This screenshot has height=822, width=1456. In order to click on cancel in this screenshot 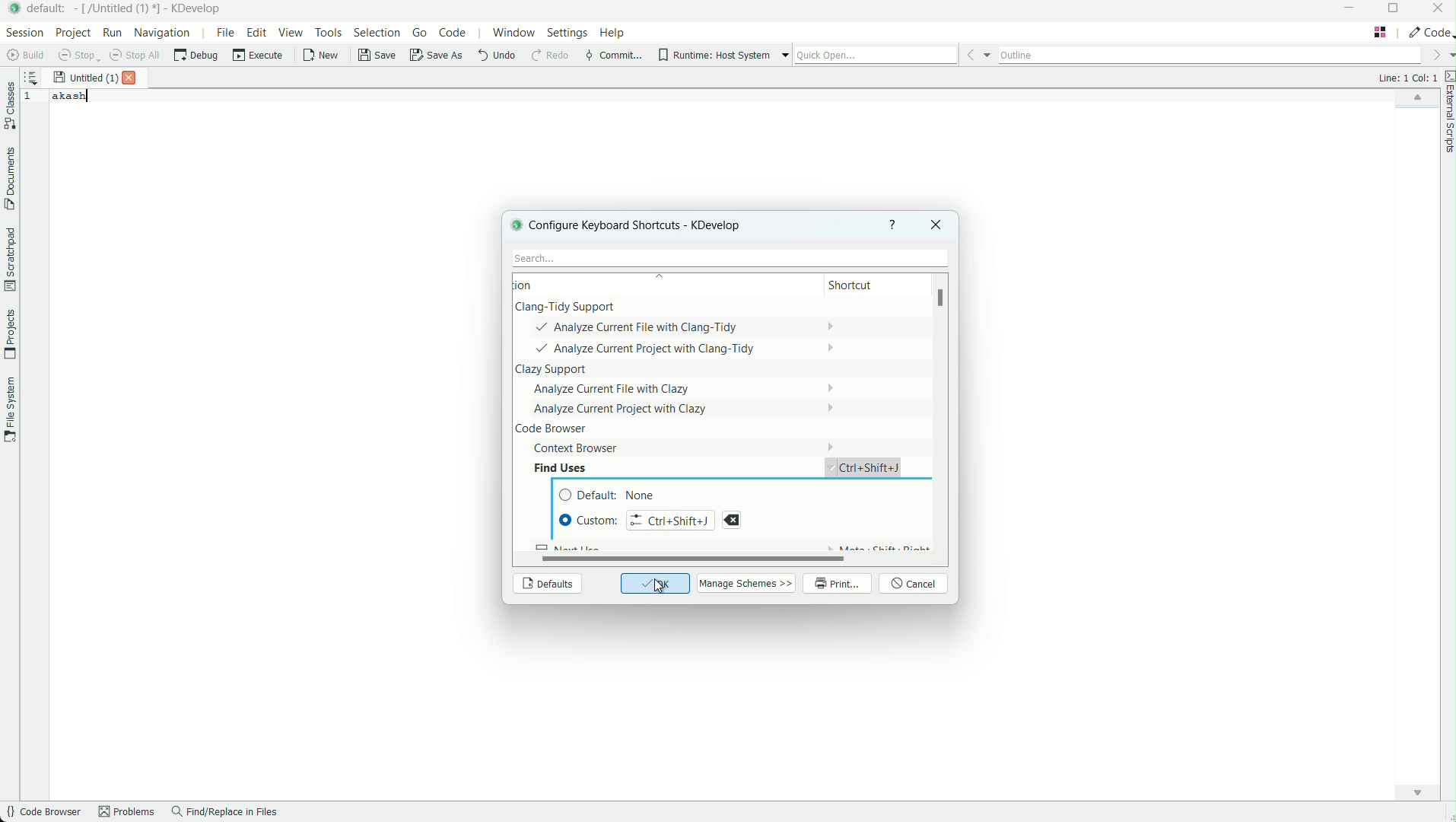, I will do `click(915, 585)`.